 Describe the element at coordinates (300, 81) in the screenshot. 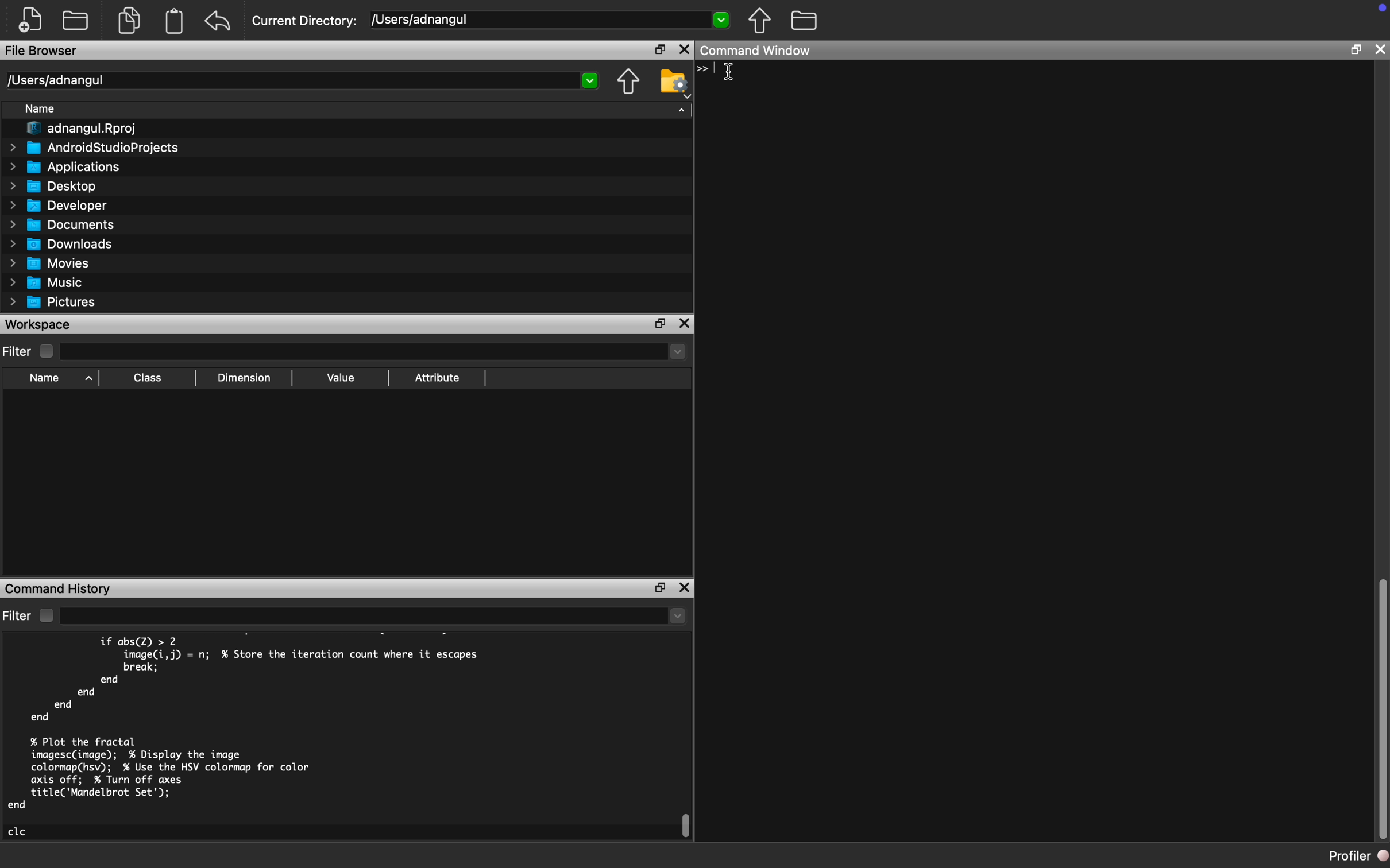

I see `/Users/adnangul ` at that location.